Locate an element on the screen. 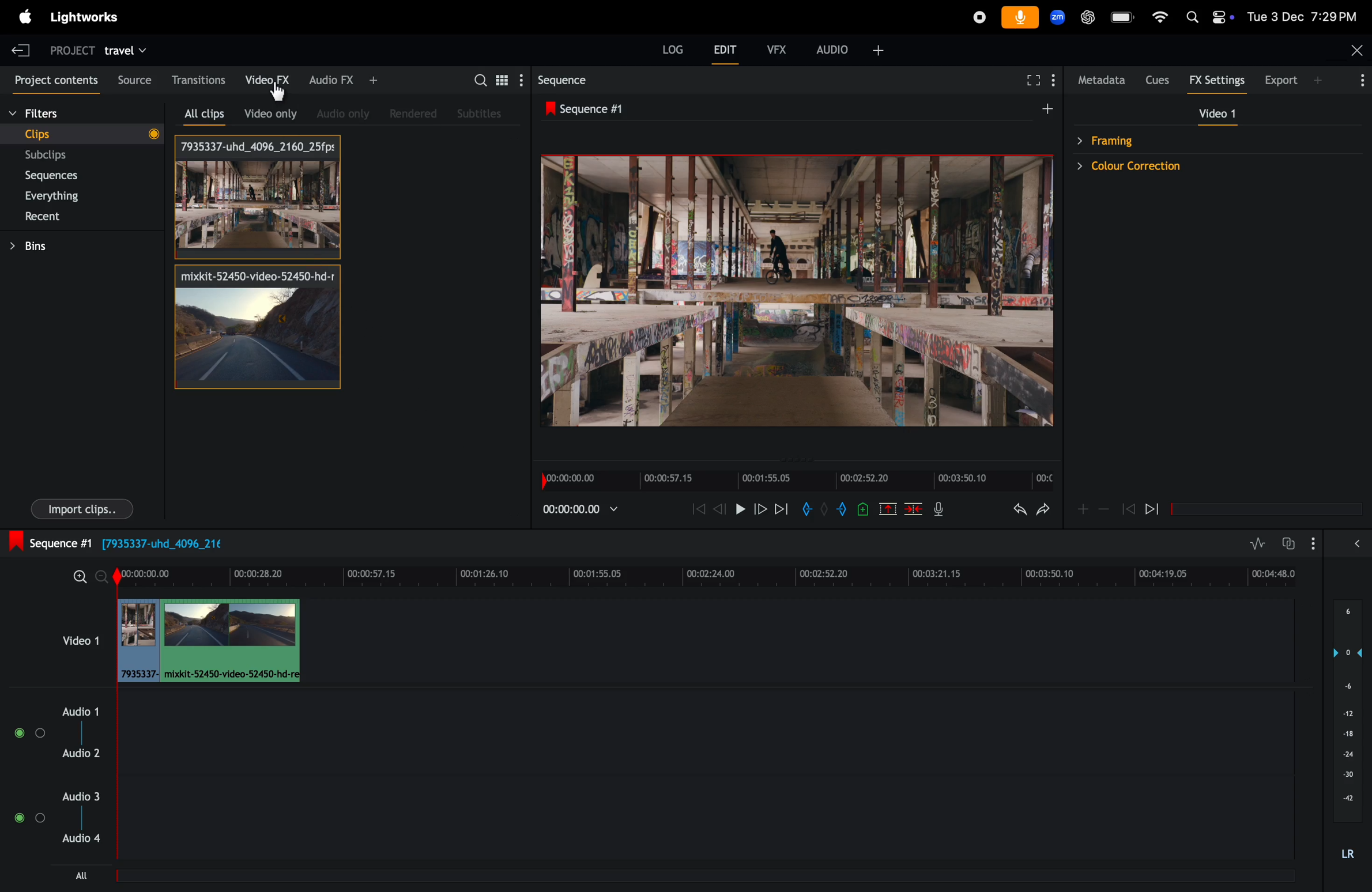 Image resolution: width=1372 pixels, height=892 pixels. Close is located at coordinates (1358, 50).